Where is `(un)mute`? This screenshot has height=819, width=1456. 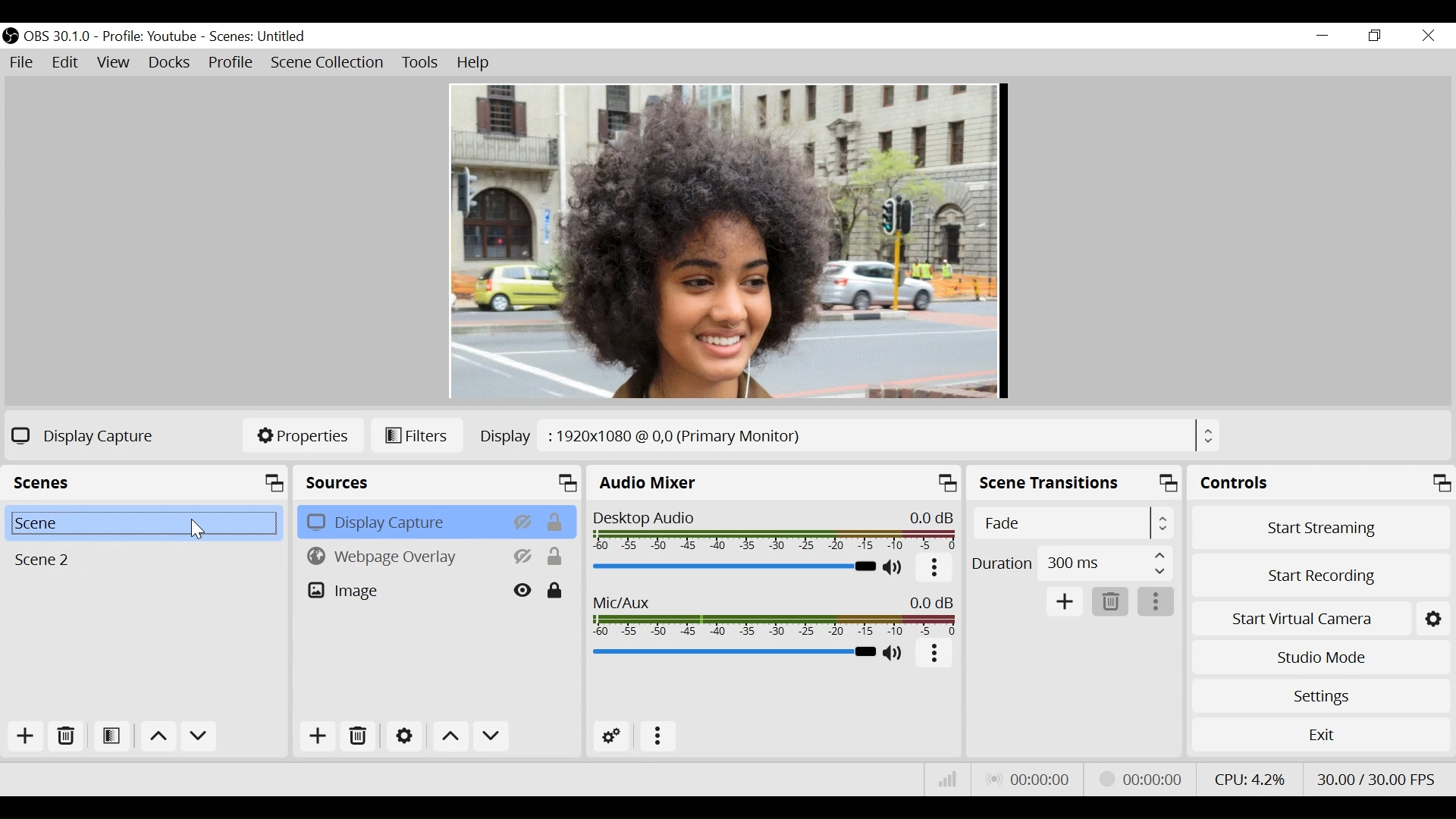
(un)mute is located at coordinates (894, 653).